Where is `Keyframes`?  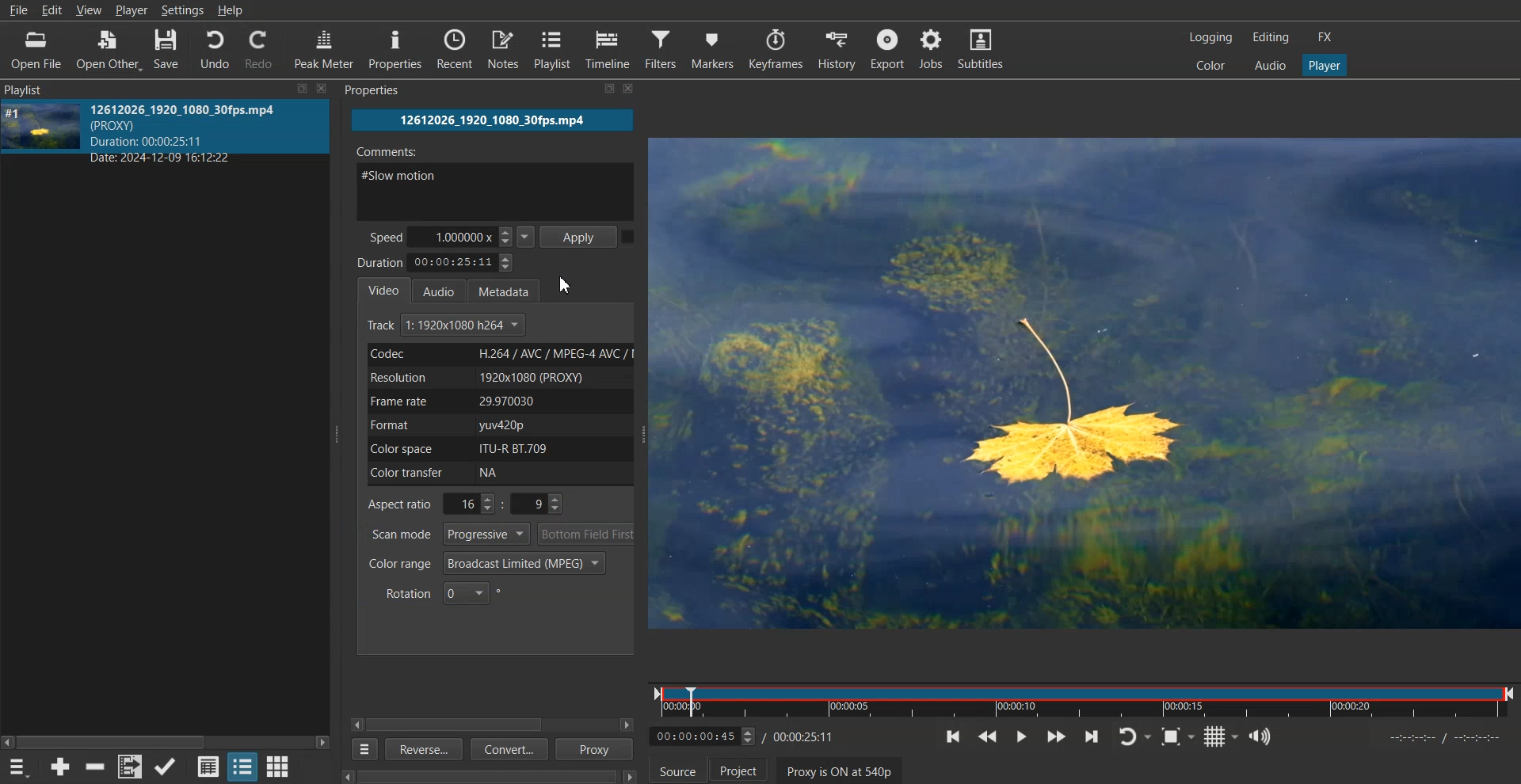
Keyframes is located at coordinates (776, 48).